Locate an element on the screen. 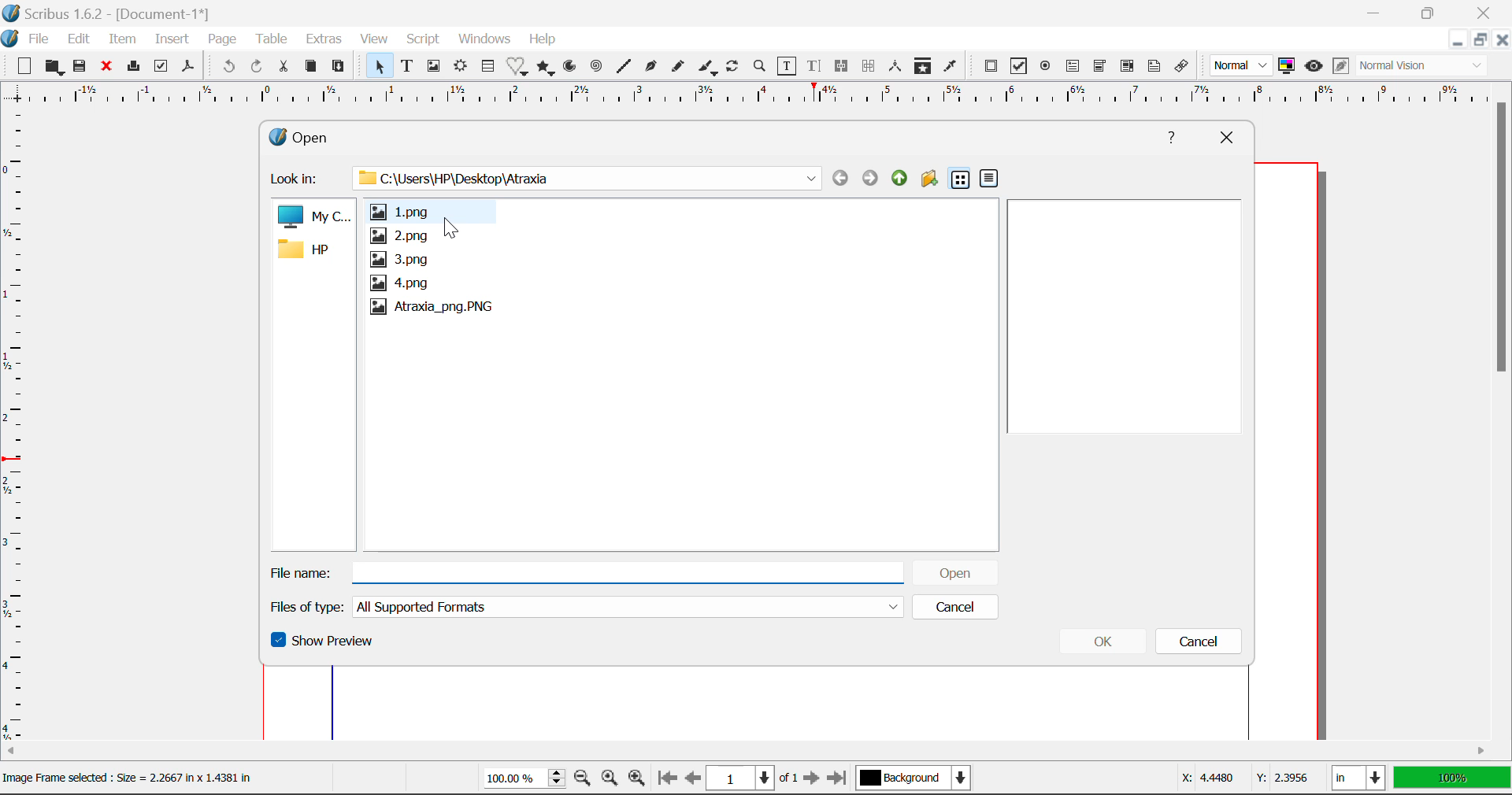  File is located at coordinates (39, 39).